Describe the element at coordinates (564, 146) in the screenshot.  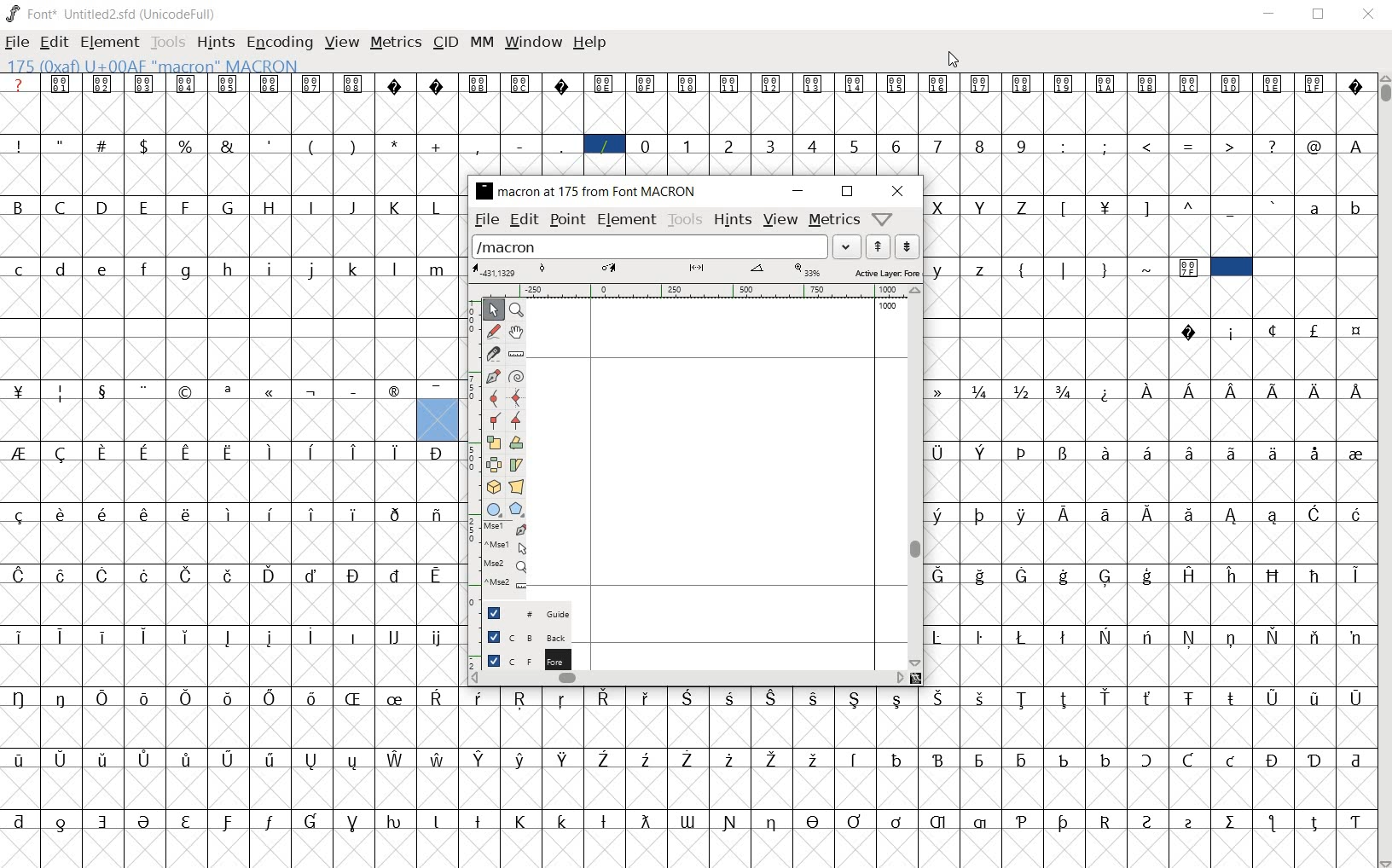
I see `_` at that location.